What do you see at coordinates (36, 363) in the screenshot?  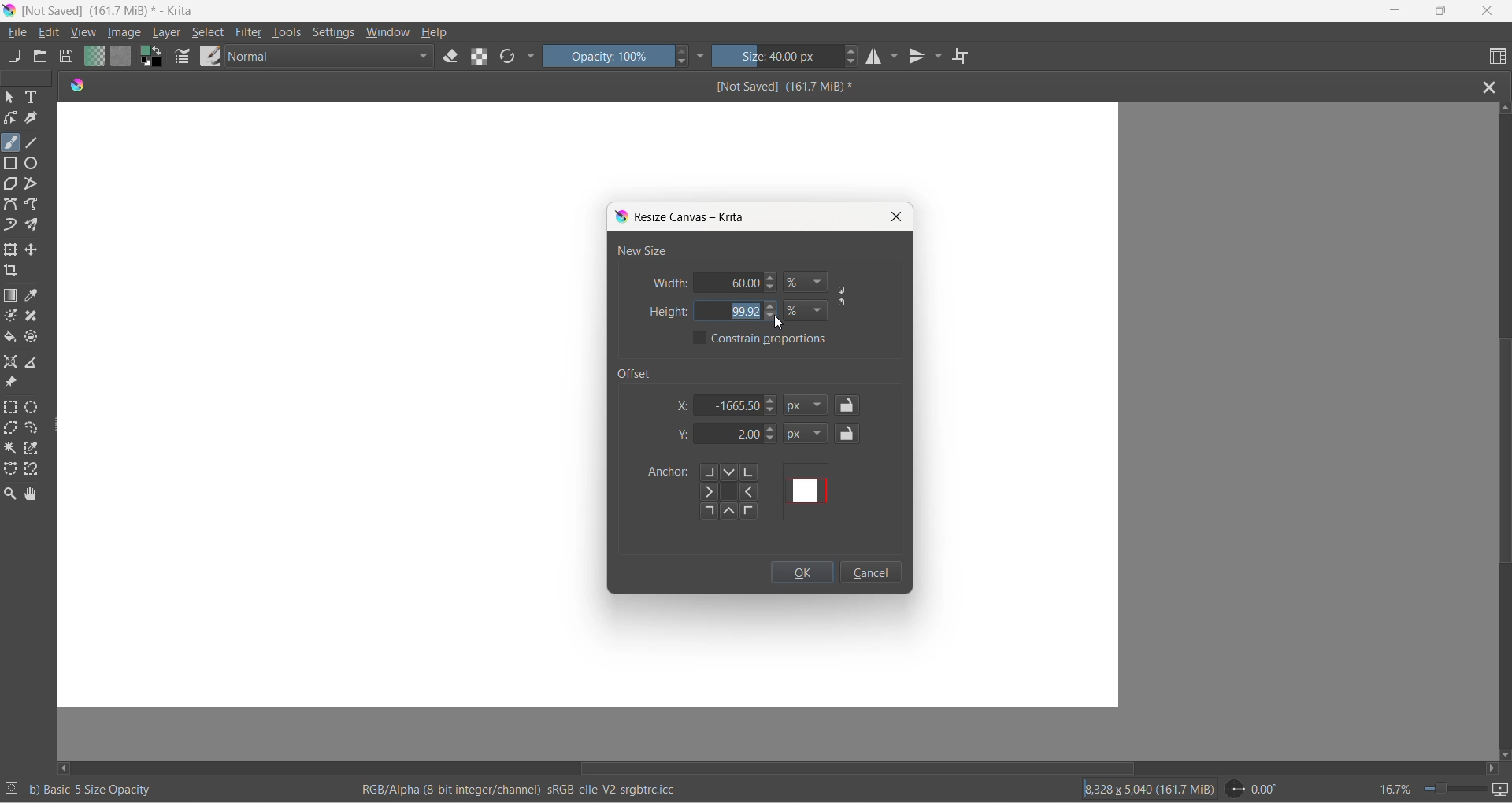 I see `measure the distance between two points` at bounding box center [36, 363].